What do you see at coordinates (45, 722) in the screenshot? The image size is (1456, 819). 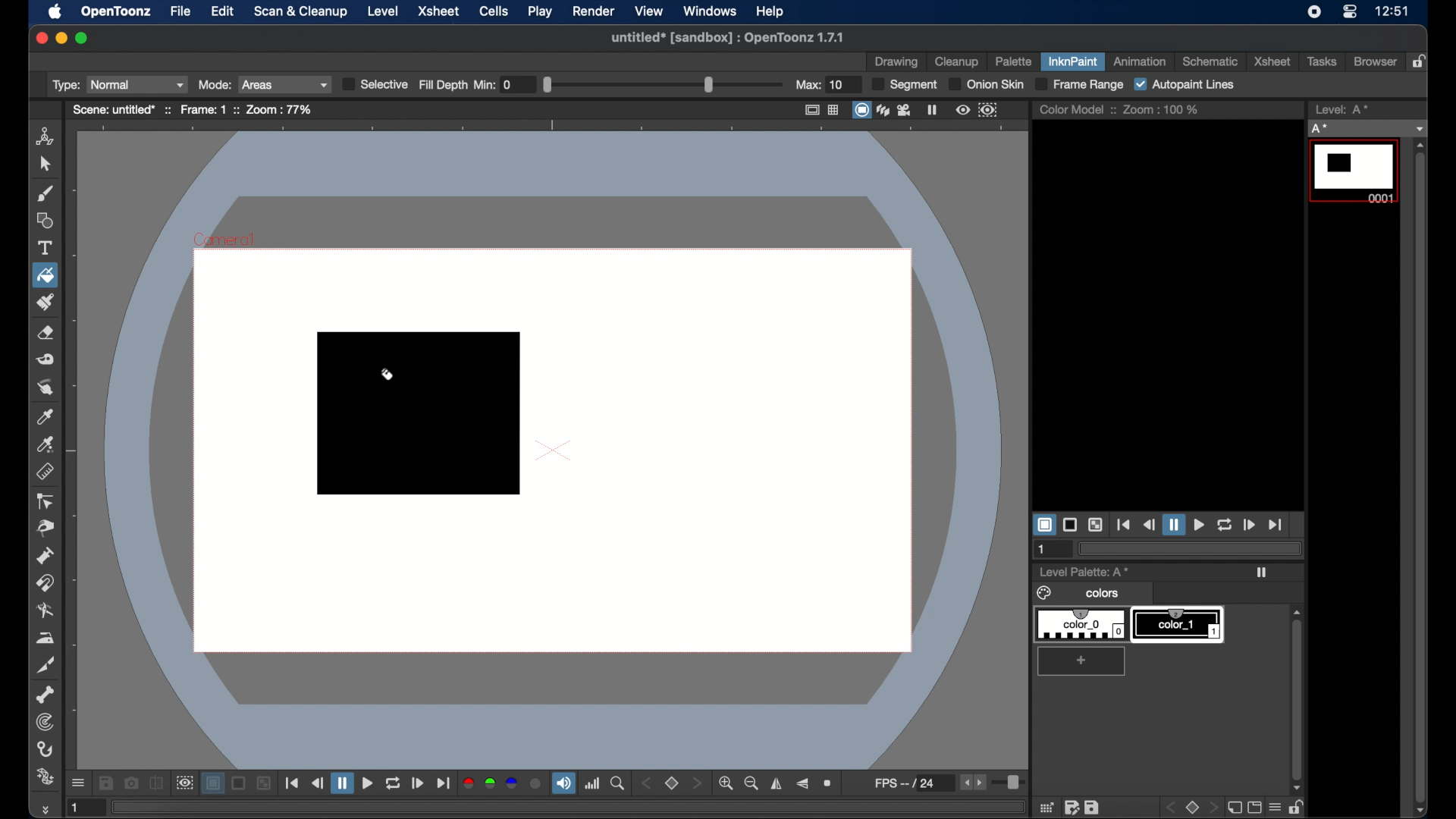 I see `tracker tool` at bounding box center [45, 722].